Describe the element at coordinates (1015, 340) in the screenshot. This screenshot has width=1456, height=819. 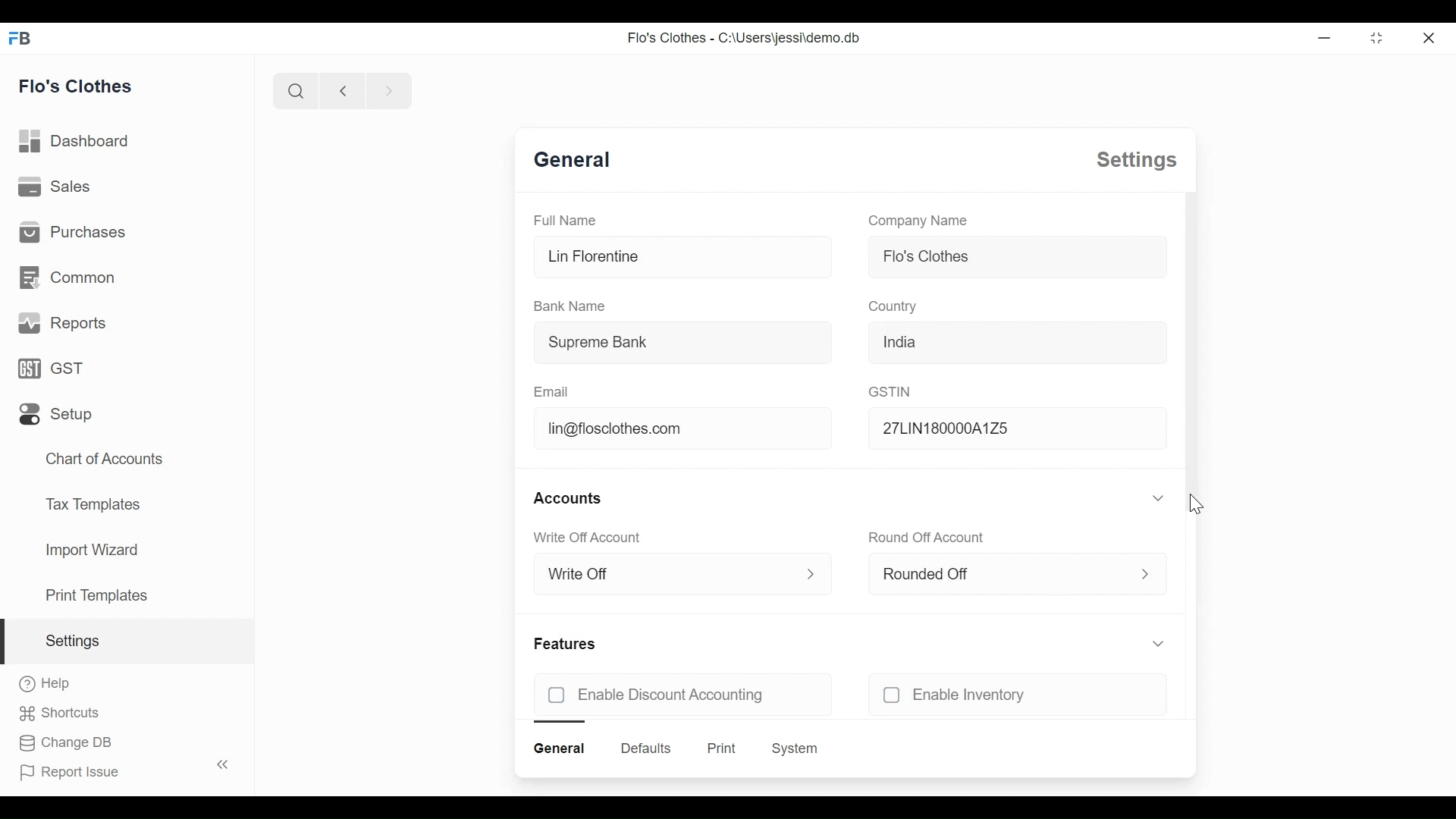
I see `India` at that location.